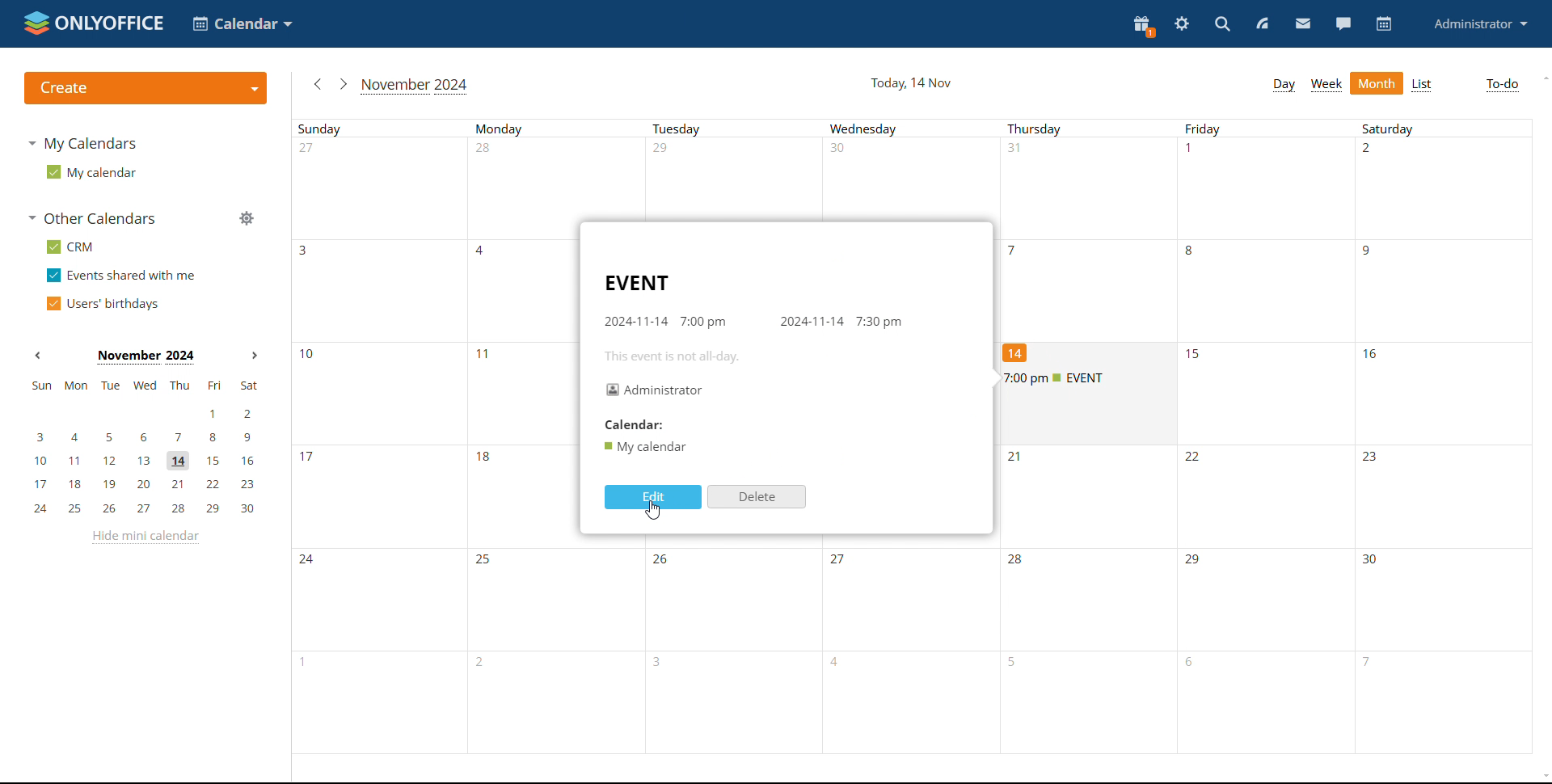 This screenshot has height=784, width=1552. What do you see at coordinates (1141, 27) in the screenshot?
I see `present` at bounding box center [1141, 27].